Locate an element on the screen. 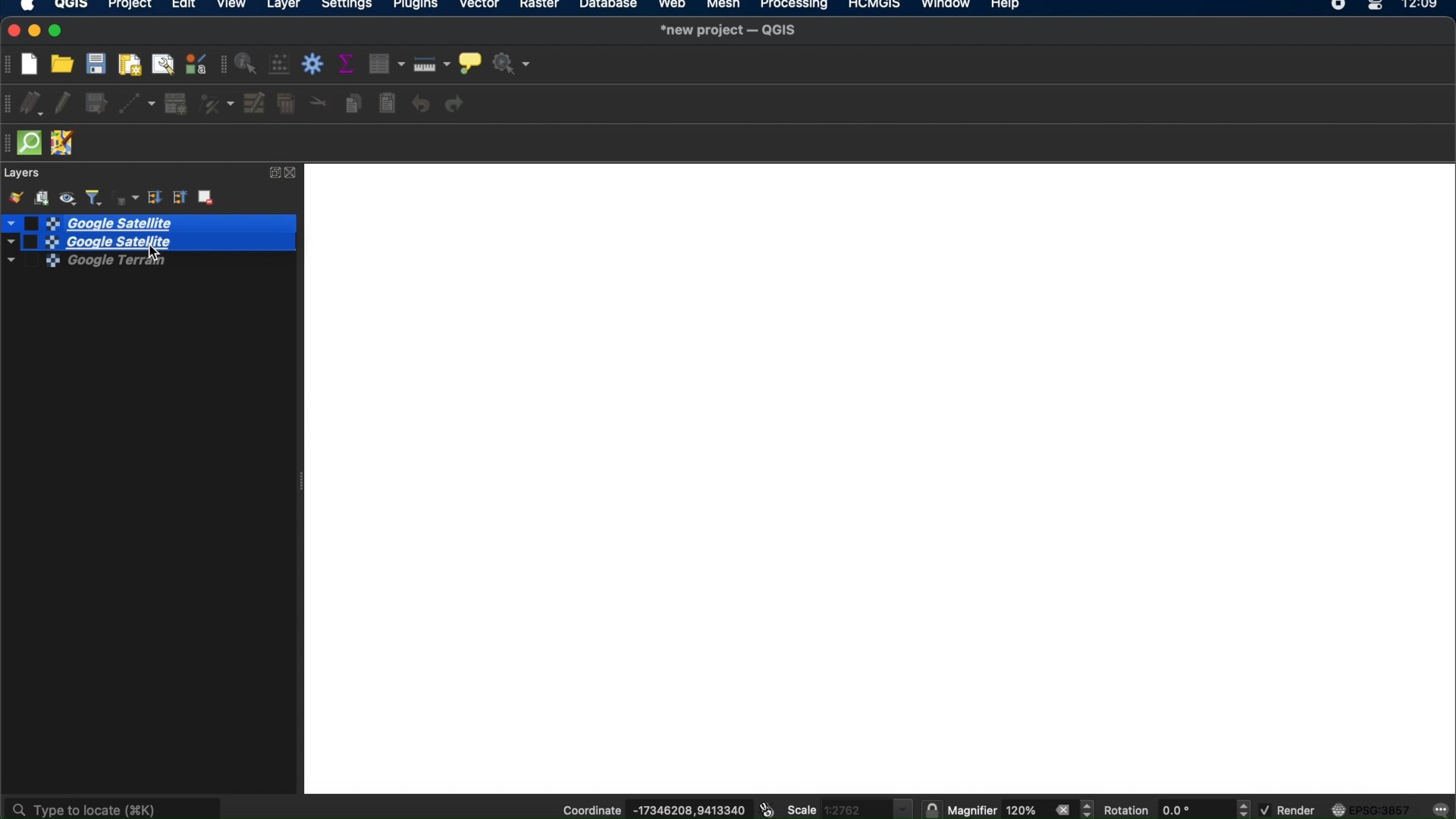 Image resolution: width=1456 pixels, height=819 pixels. current edits is located at coordinates (36, 105).